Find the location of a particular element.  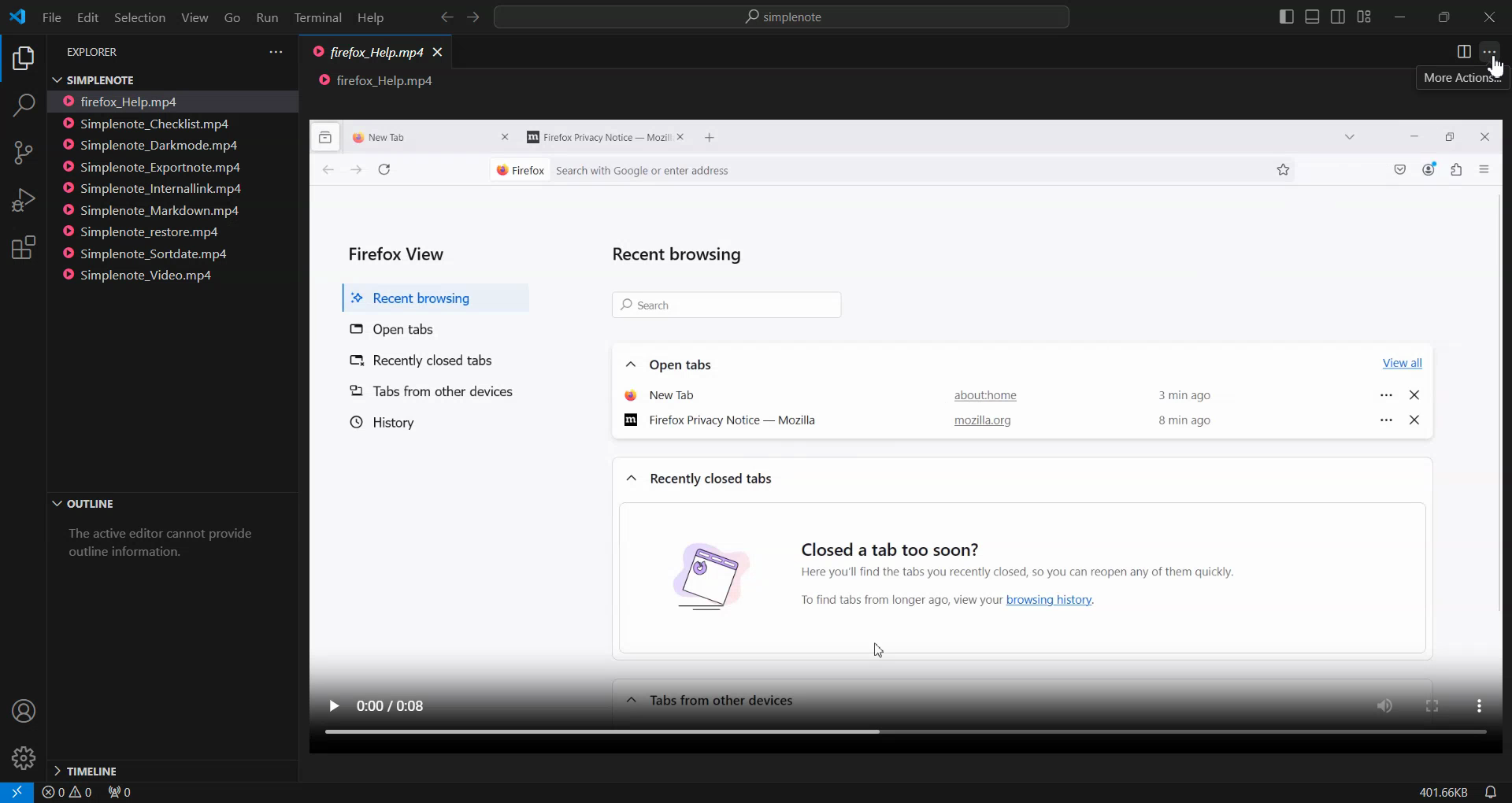

option is located at coordinates (1384, 420).